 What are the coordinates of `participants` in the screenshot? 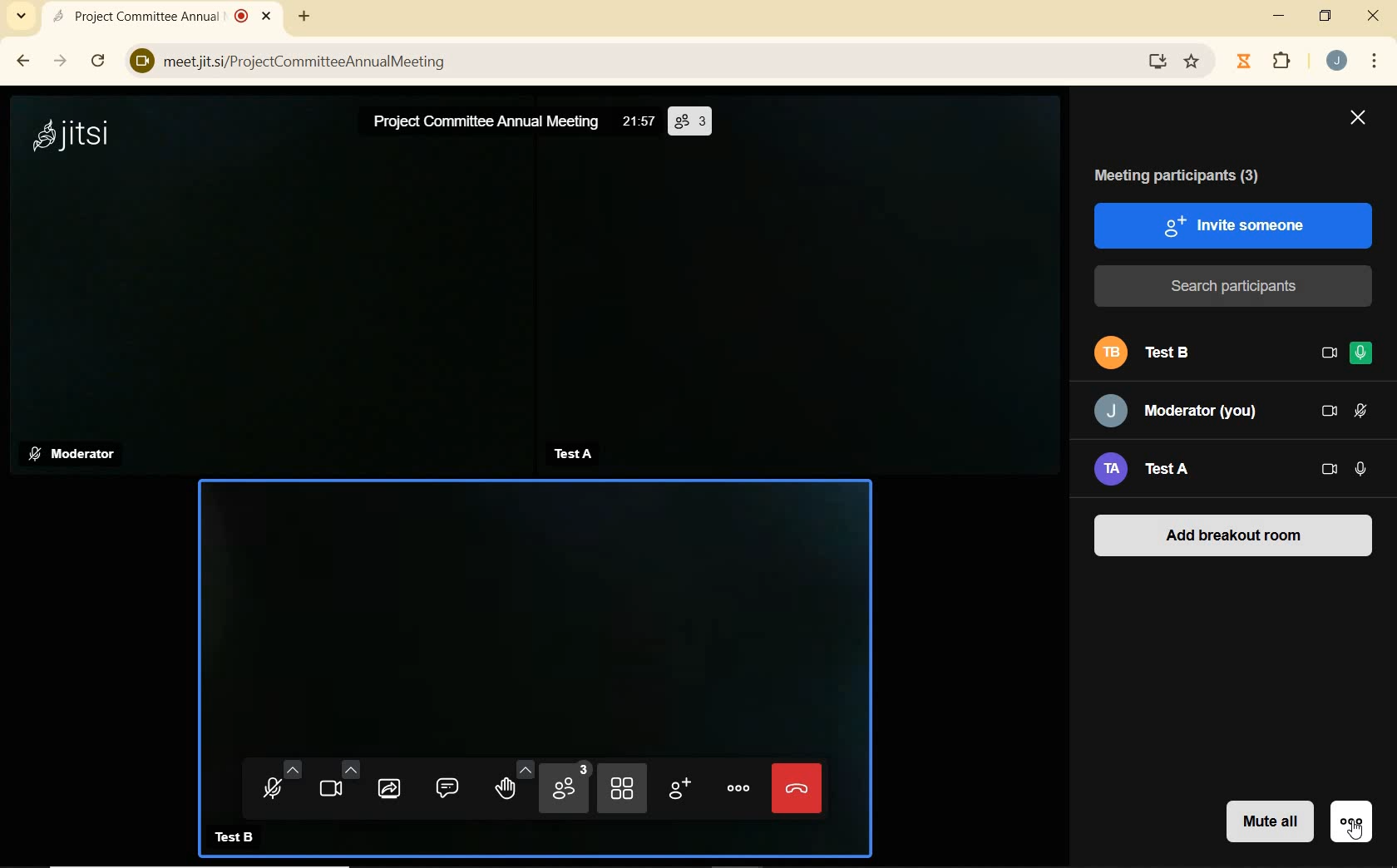 It's located at (565, 789).